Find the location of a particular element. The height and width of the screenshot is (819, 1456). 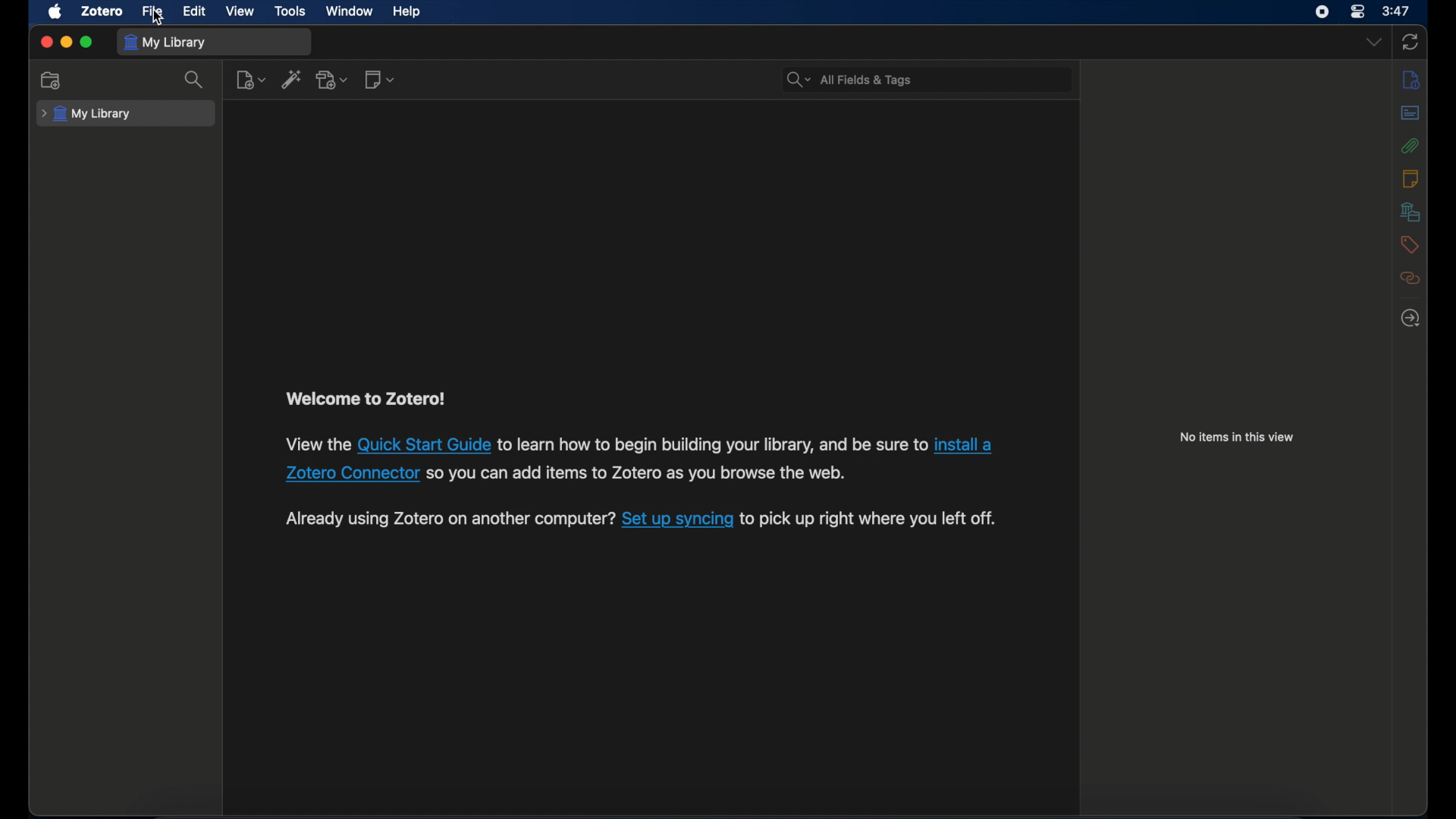

text is located at coordinates (640, 475).